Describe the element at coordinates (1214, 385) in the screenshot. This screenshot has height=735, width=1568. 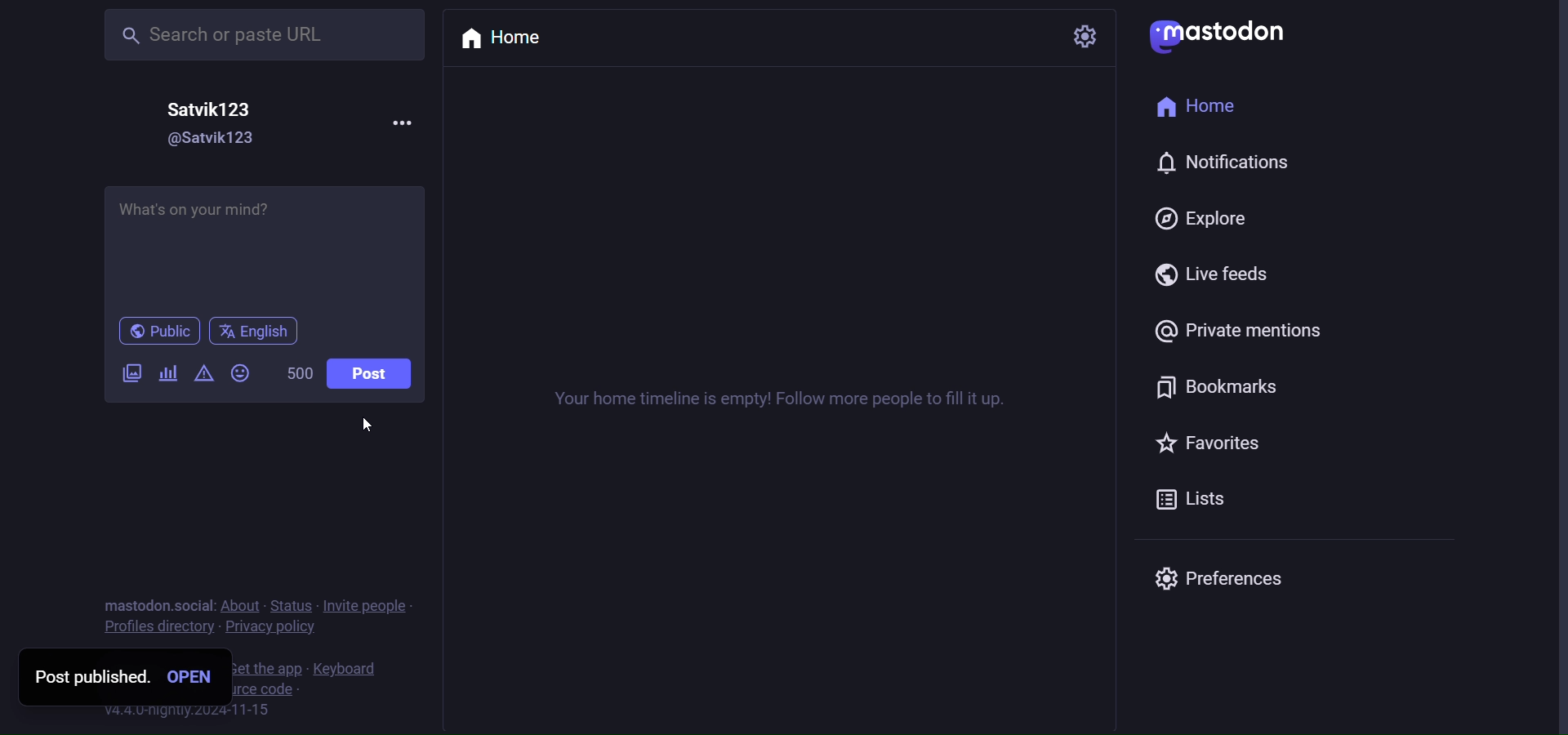
I see `bookmark` at that location.